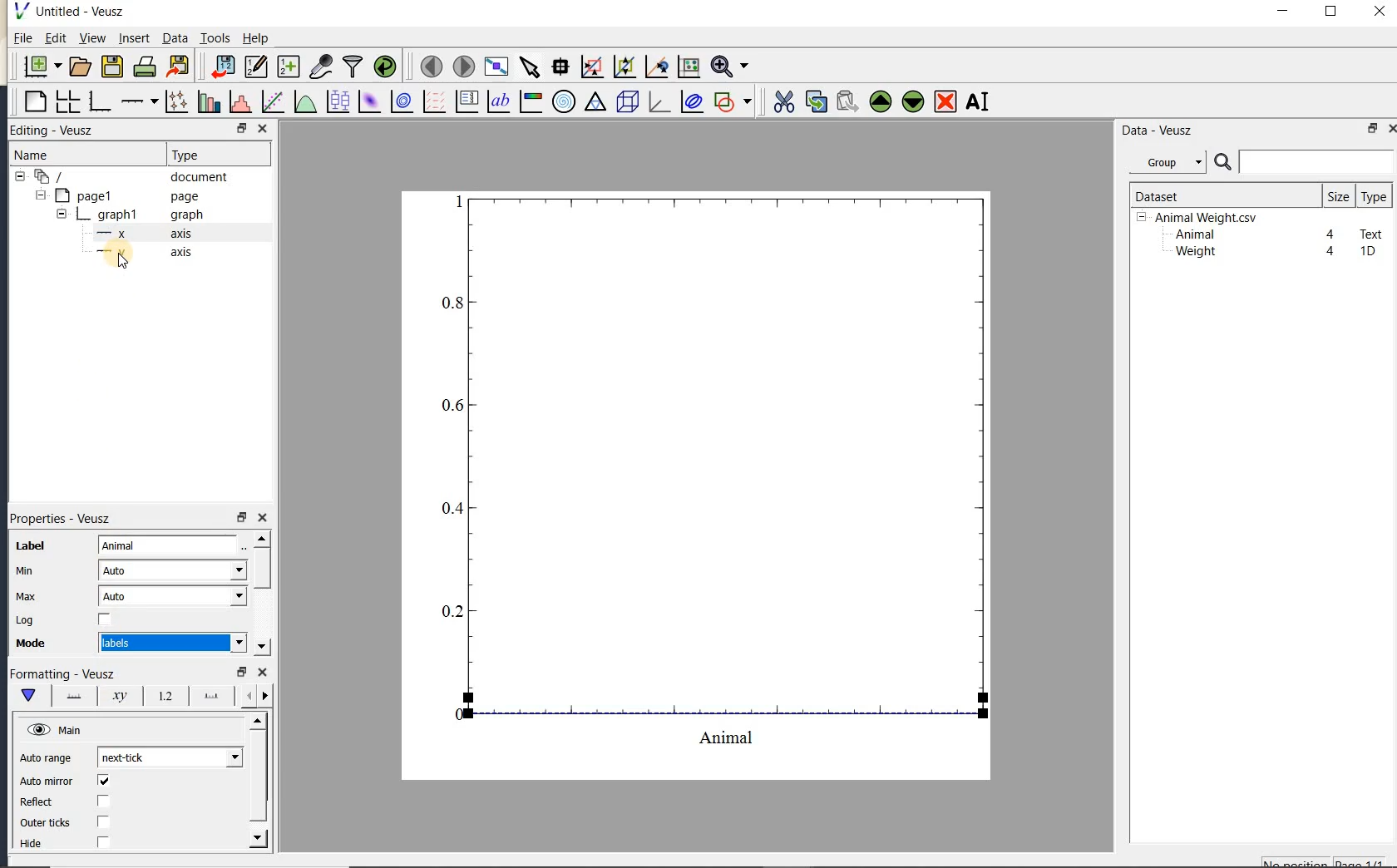 The image size is (1397, 868). I want to click on ternary graph, so click(595, 104).